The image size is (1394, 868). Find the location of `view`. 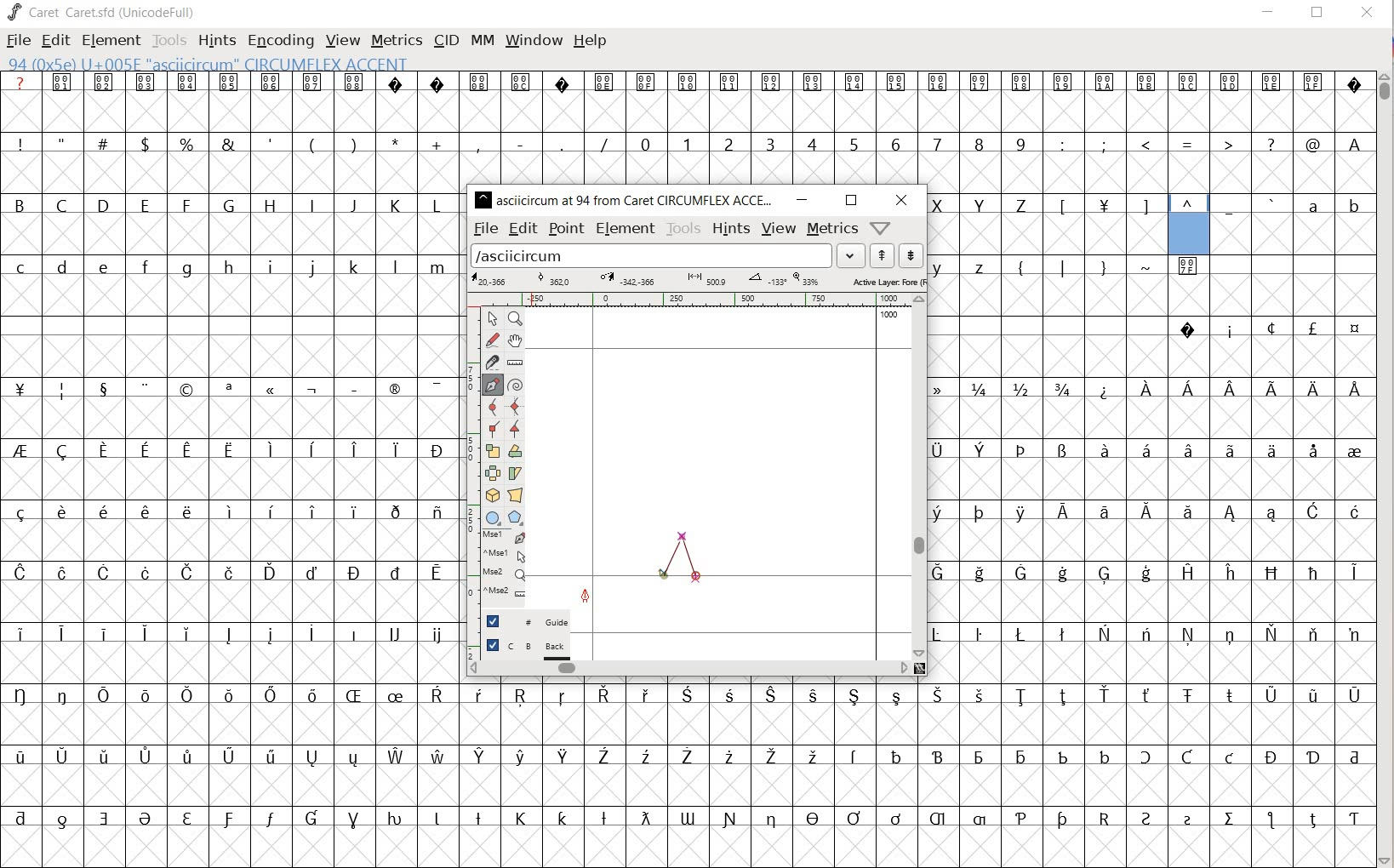

view is located at coordinates (779, 229).